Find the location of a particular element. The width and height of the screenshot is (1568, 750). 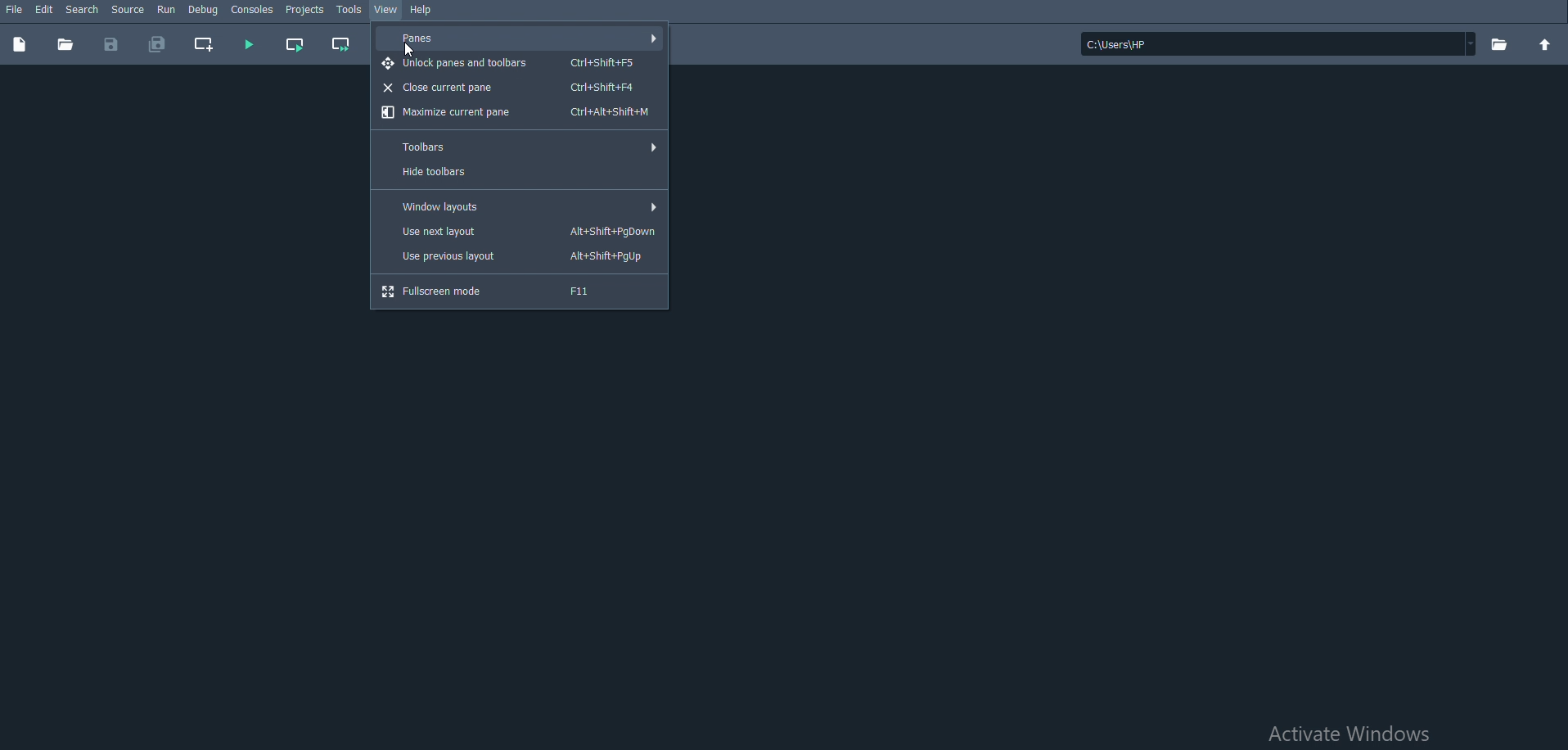

Run current cell is located at coordinates (294, 46).